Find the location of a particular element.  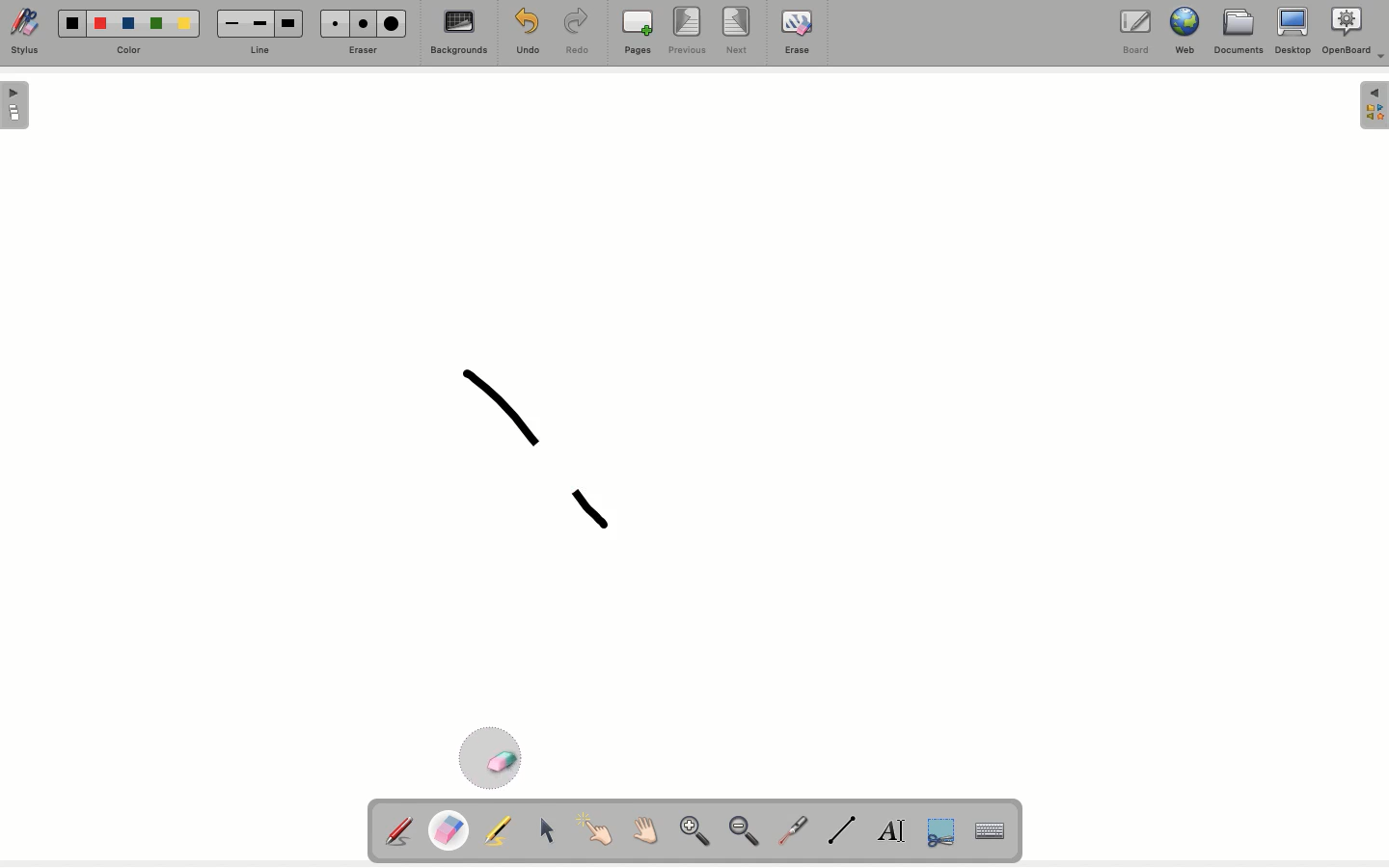

Laser is located at coordinates (795, 830).